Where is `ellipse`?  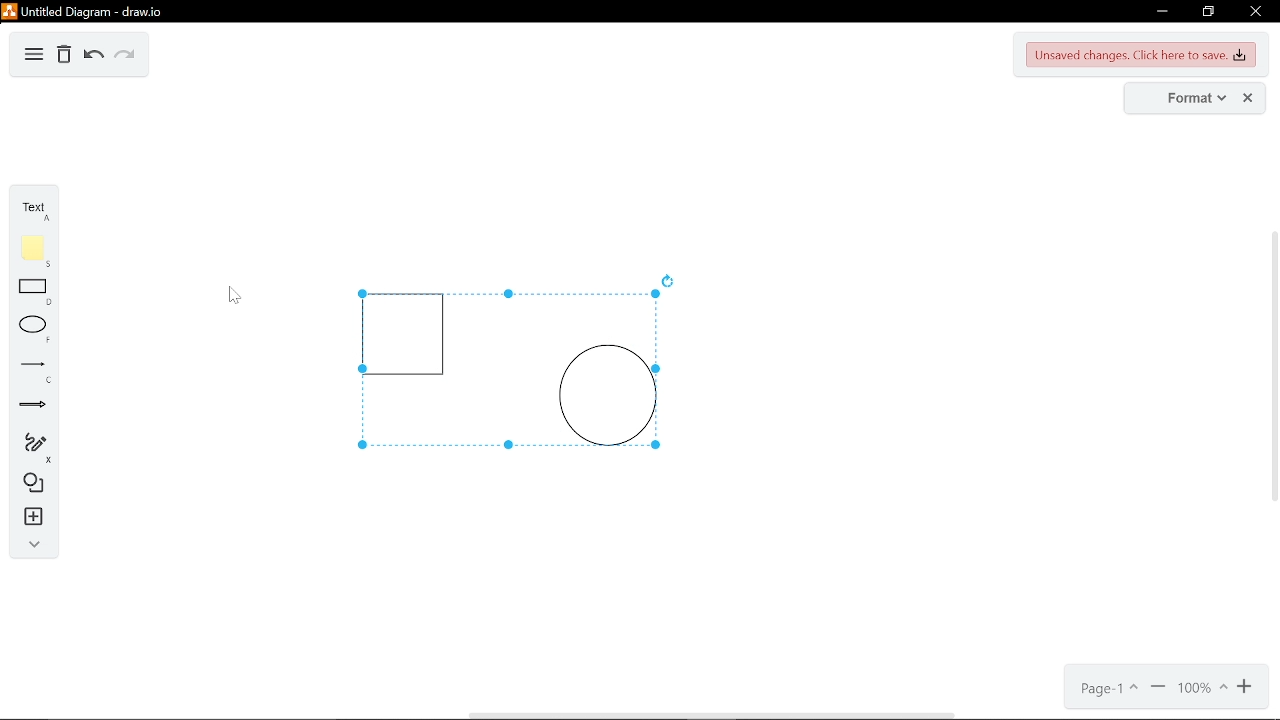 ellipse is located at coordinates (30, 332).